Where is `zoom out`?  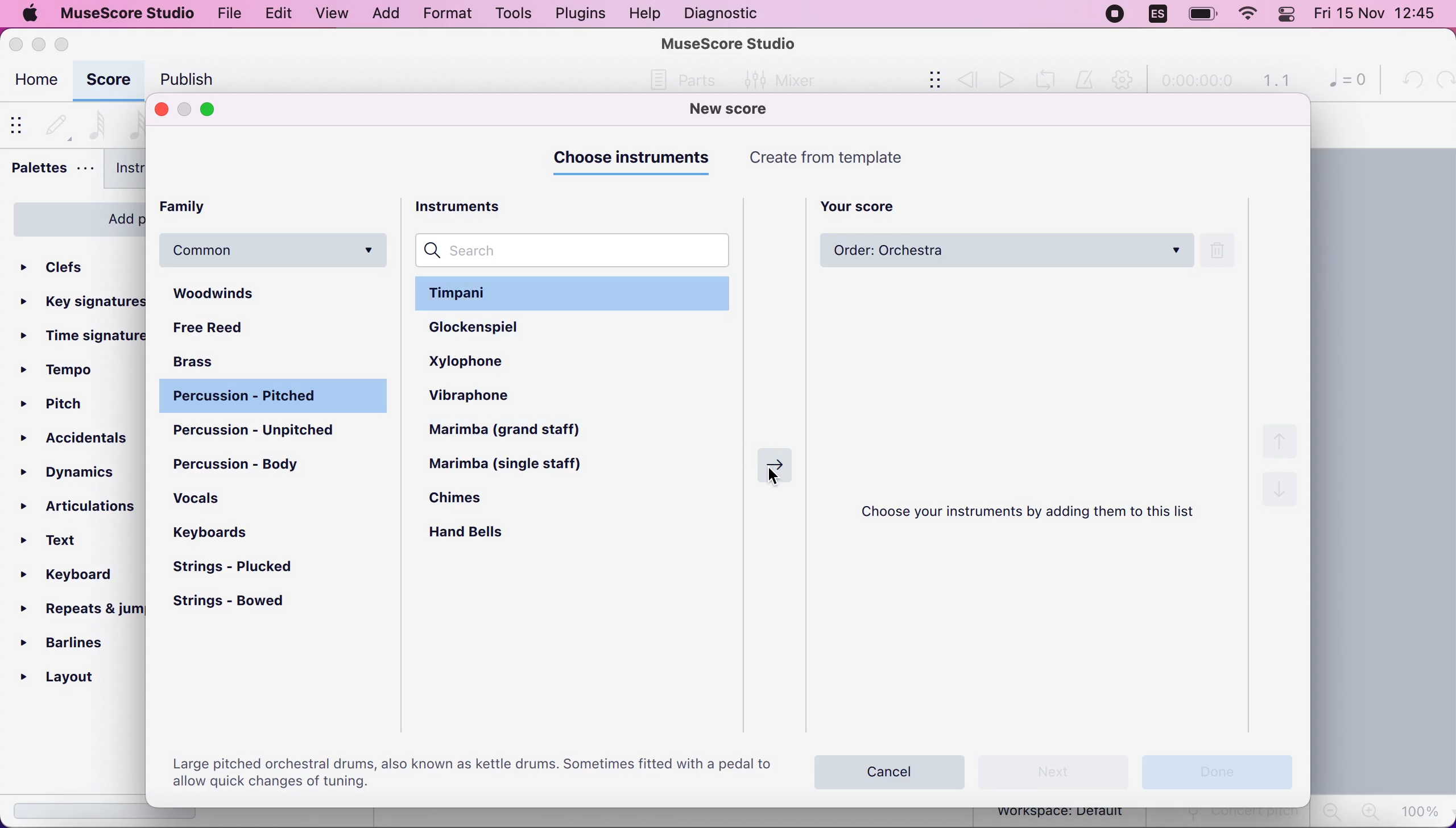 zoom out is located at coordinates (1330, 812).